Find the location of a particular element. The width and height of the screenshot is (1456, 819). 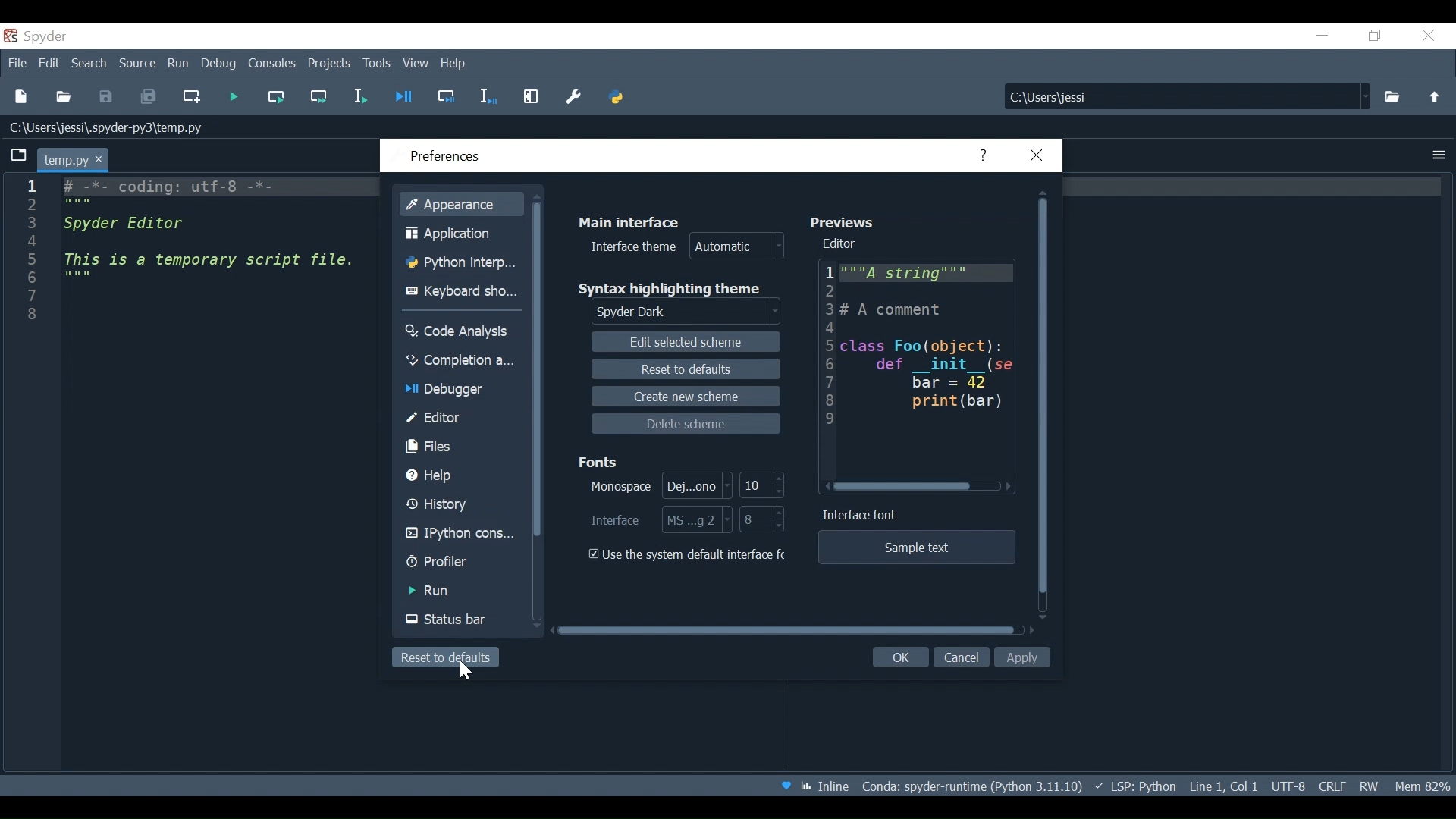

Cursor Position is located at coordinates (1222, 786).